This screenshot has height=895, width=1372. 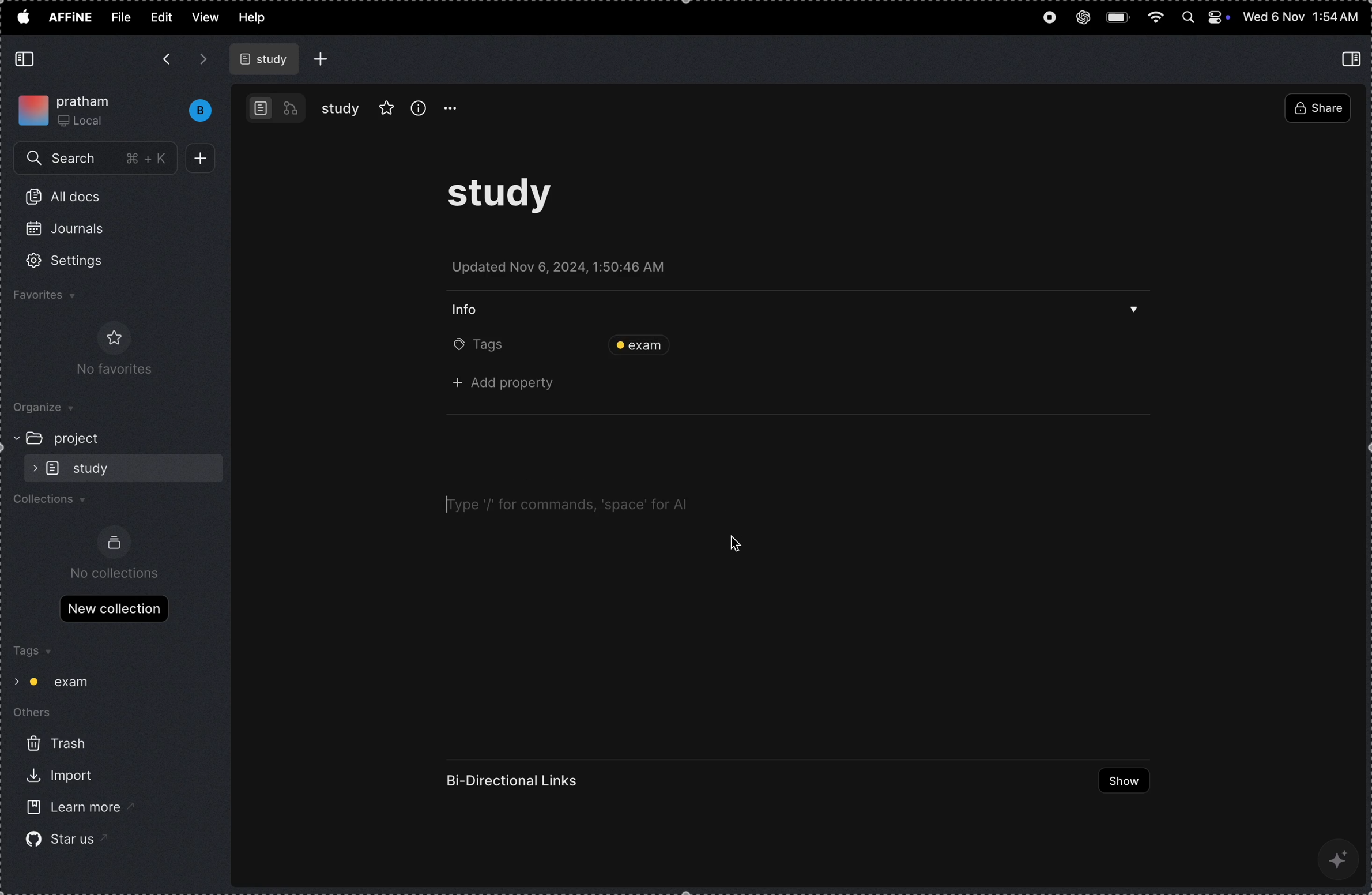 What do you see at coordinates (733, 543) in the screenshot?
I see `cursor` at bounding box center [733, 543].